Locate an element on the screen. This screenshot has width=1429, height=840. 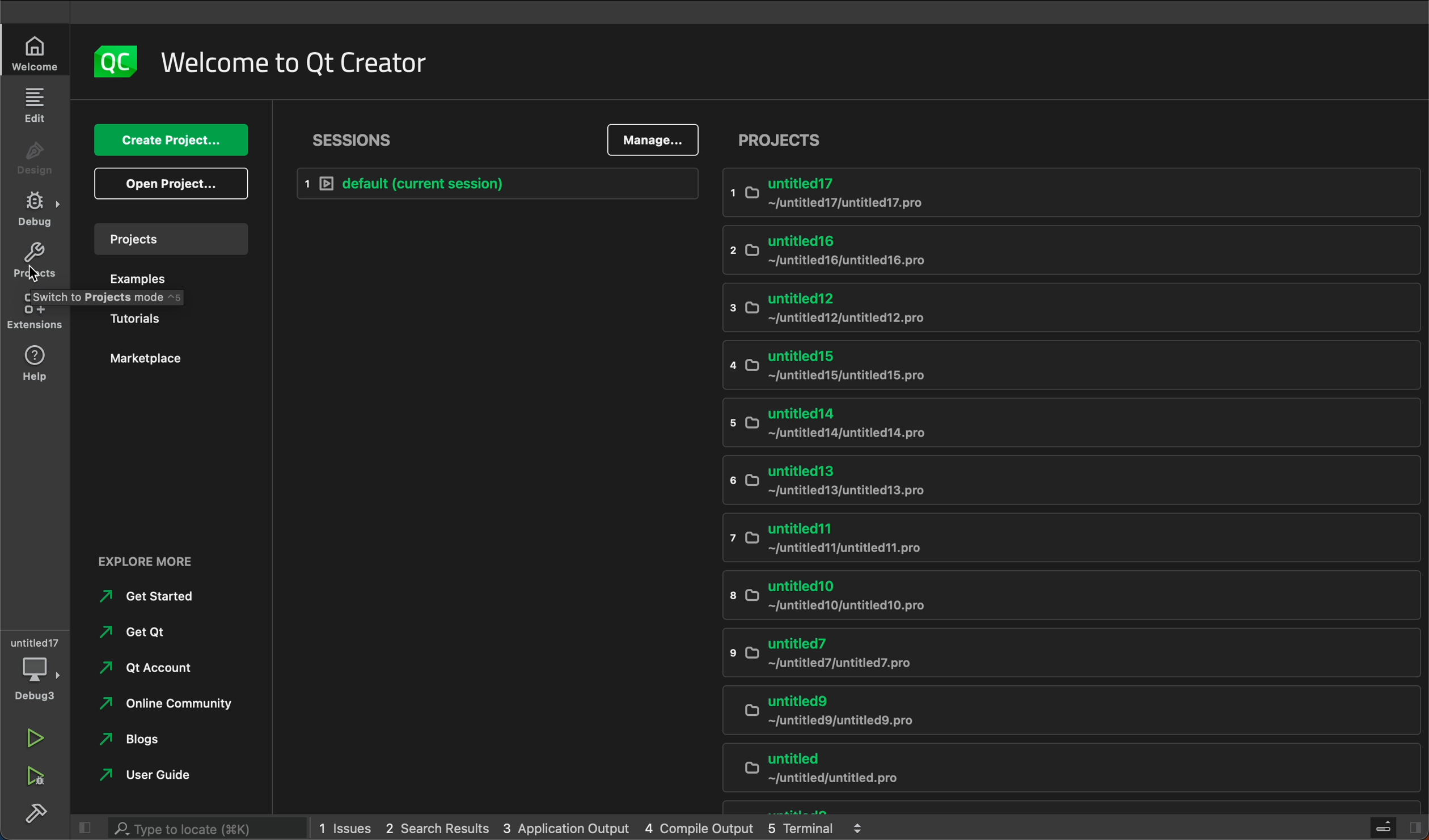
get qt is located at coordinates (145, 632).